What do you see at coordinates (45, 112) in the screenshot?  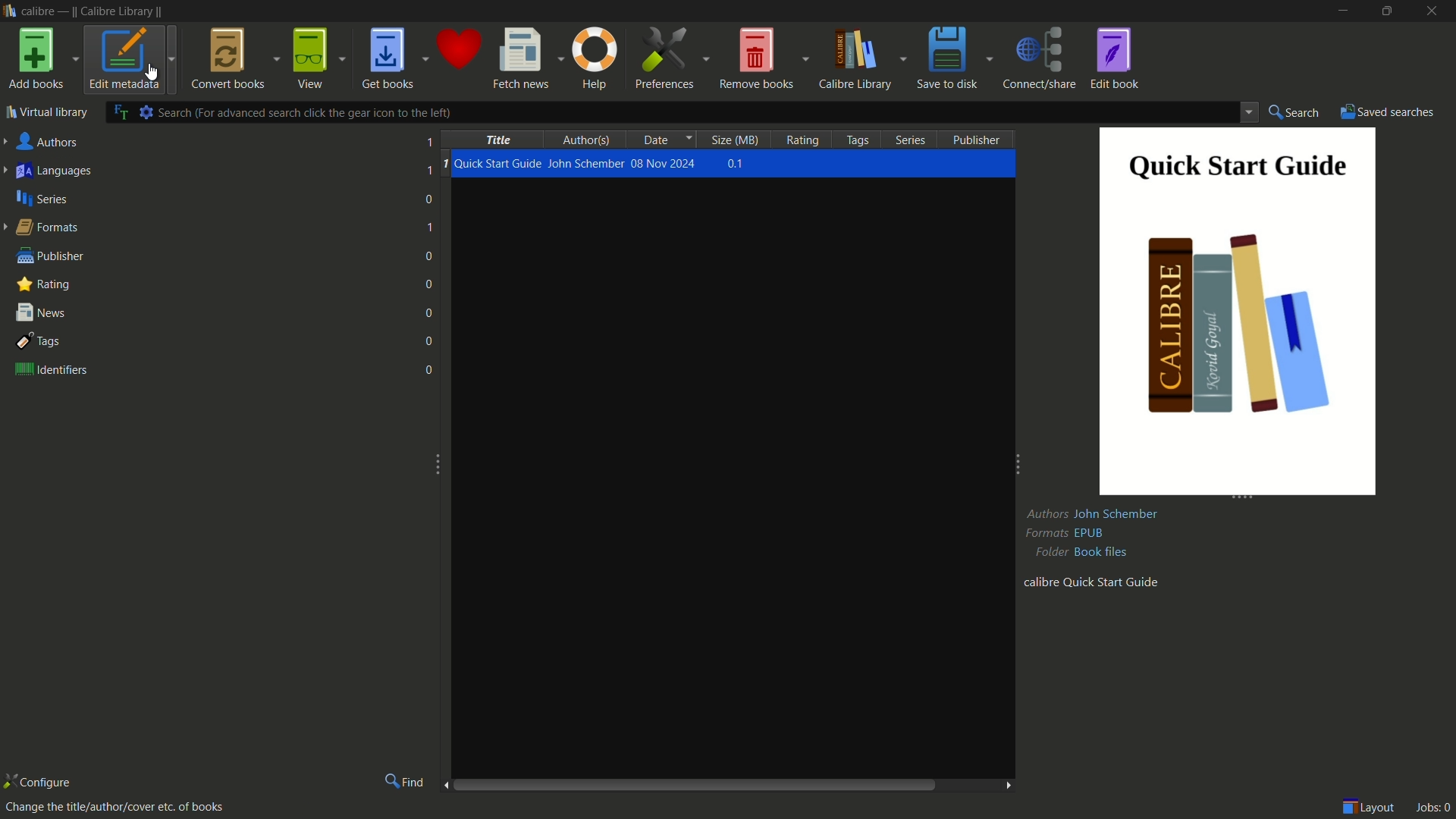 I see `virtual library` at bounding box center [45, 112].